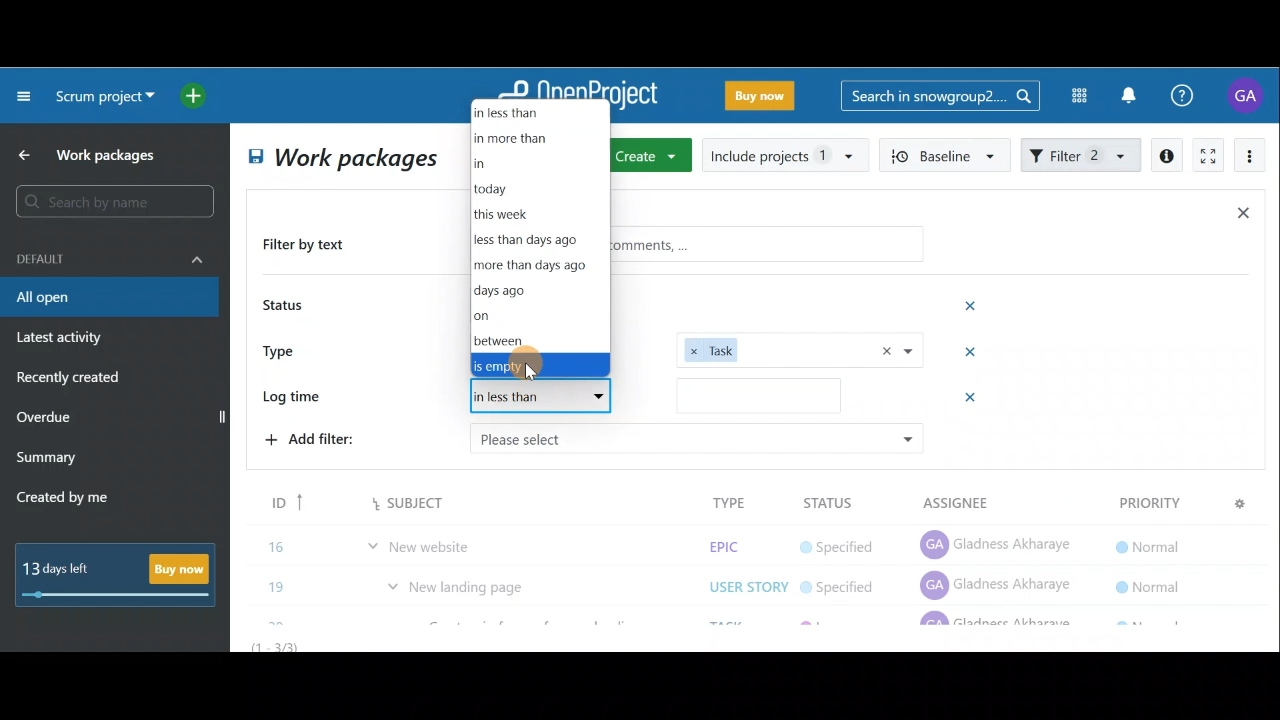  Describe the element at coordinates (542, 398) in the screenshot. I see `in less than` at that location.